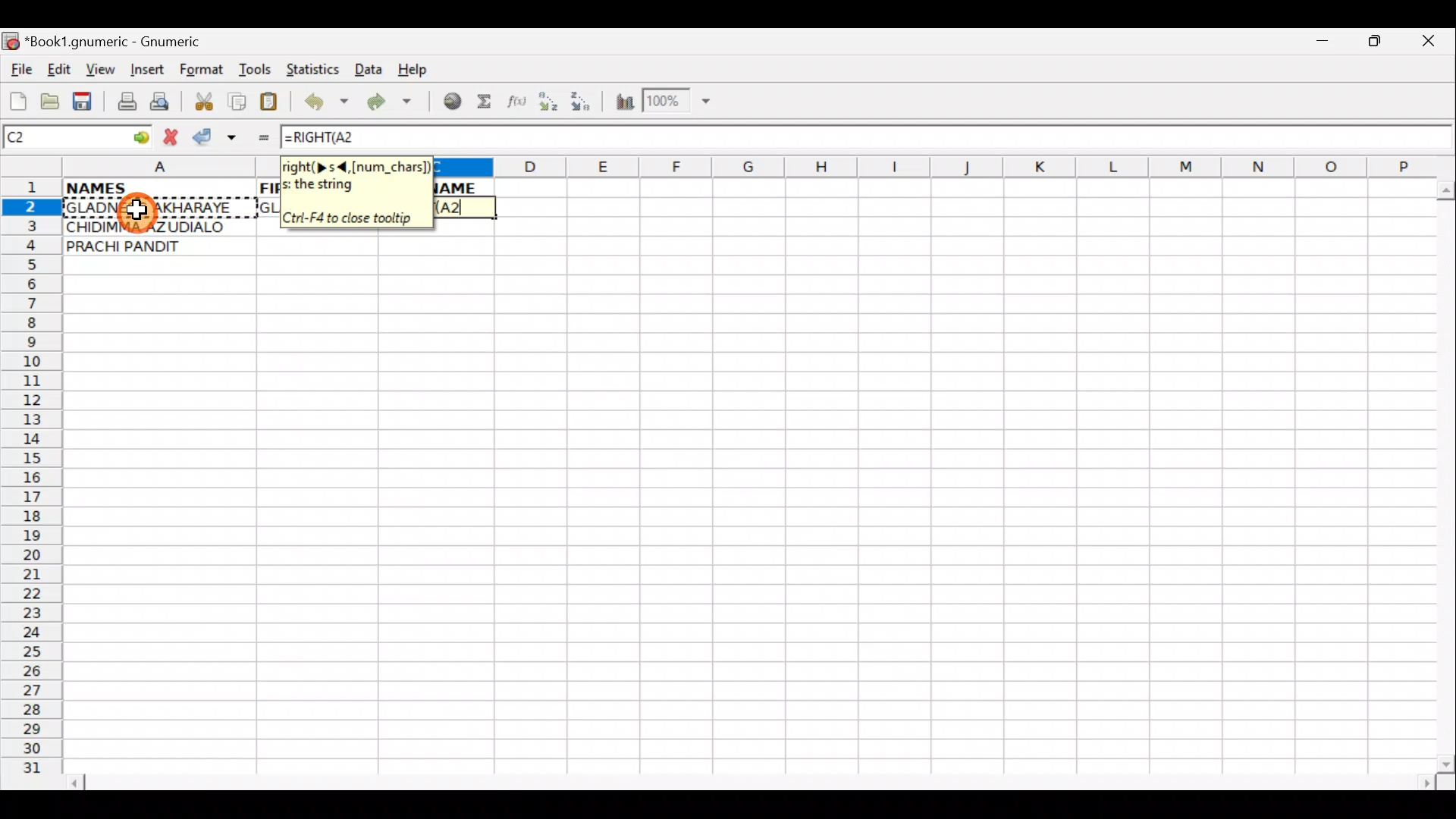 The width and height of the screenshot is (1456, 819). What do you see at coordinates (256, 137) in the screenshot?
I see `Enter formula` at bounding box center [256, 137].